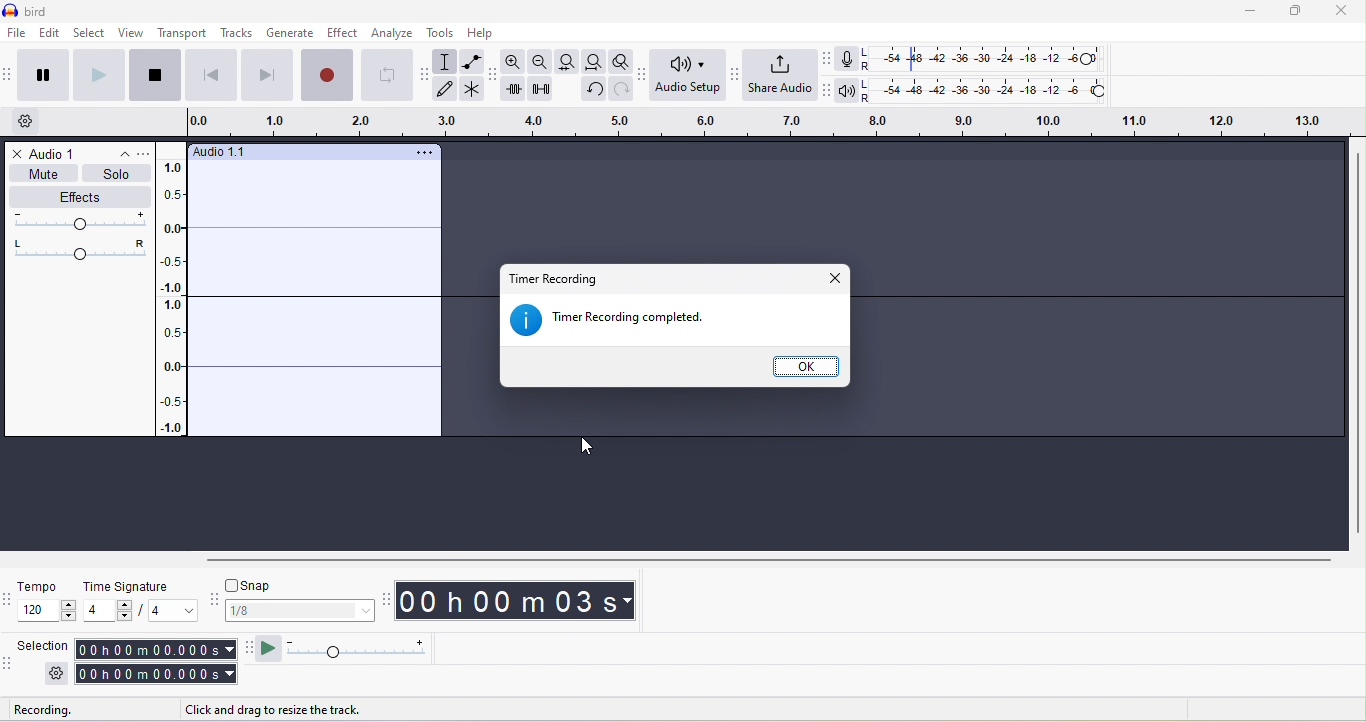  Describe the element at coordinates (825, 59) in the screenshot. I see `audacity recording meter toolbar` at that location.